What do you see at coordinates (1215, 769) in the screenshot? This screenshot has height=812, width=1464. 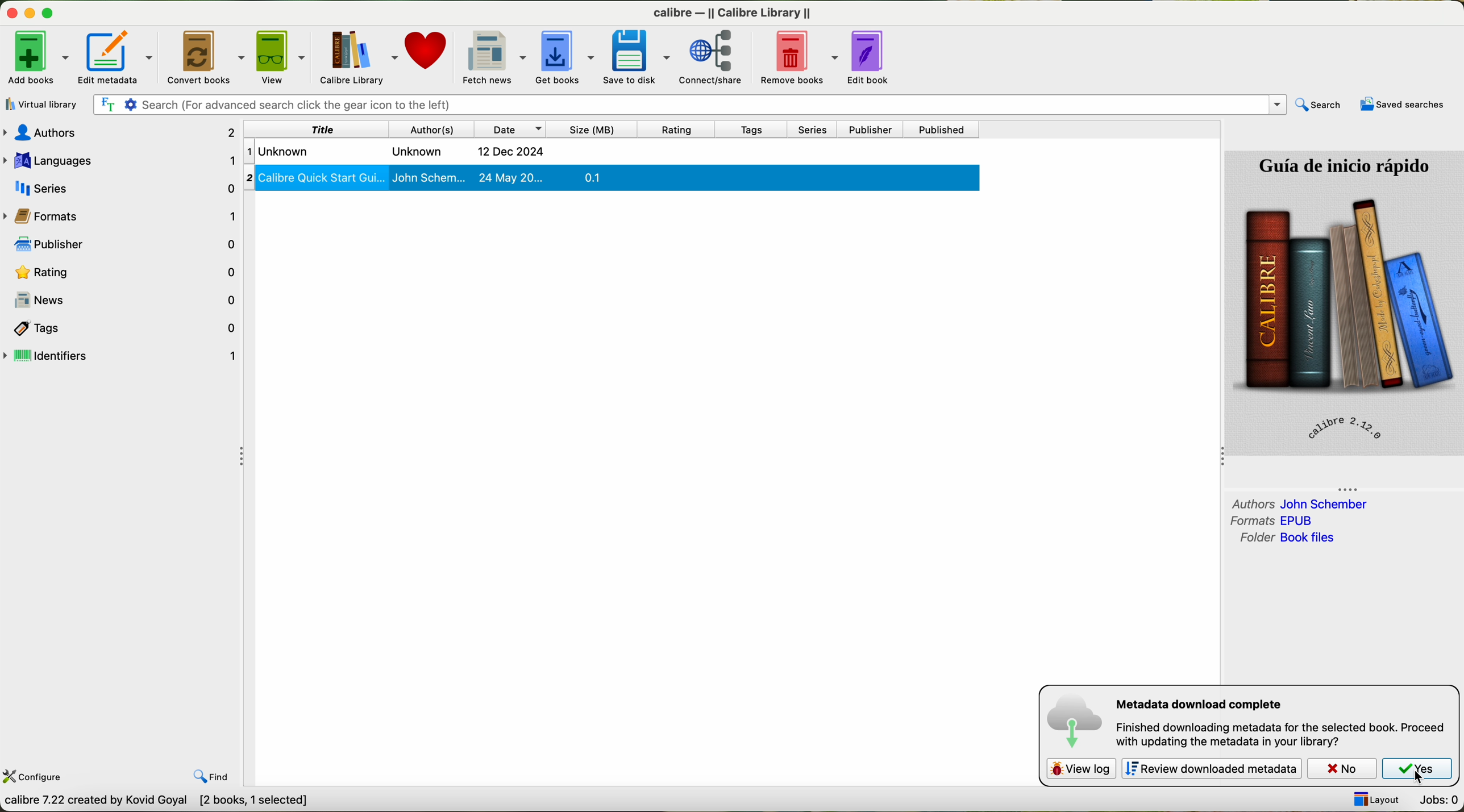 I see `review download metadata` at bounding box center [1215, 769].